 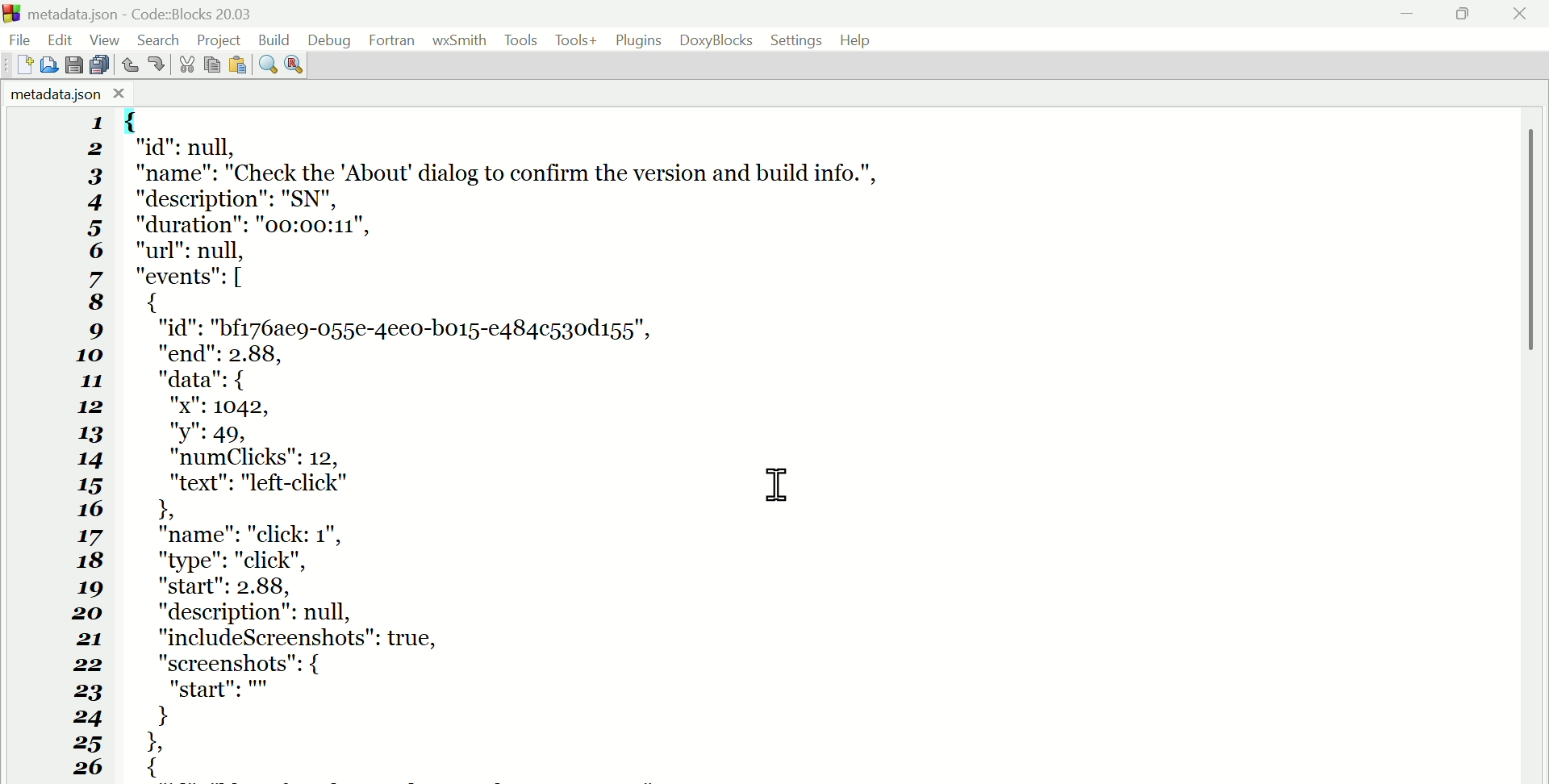 What do you see at coordinates (1465, 15) in the screenshot?
I see `Maximise` at bounding box center [1465, 15].